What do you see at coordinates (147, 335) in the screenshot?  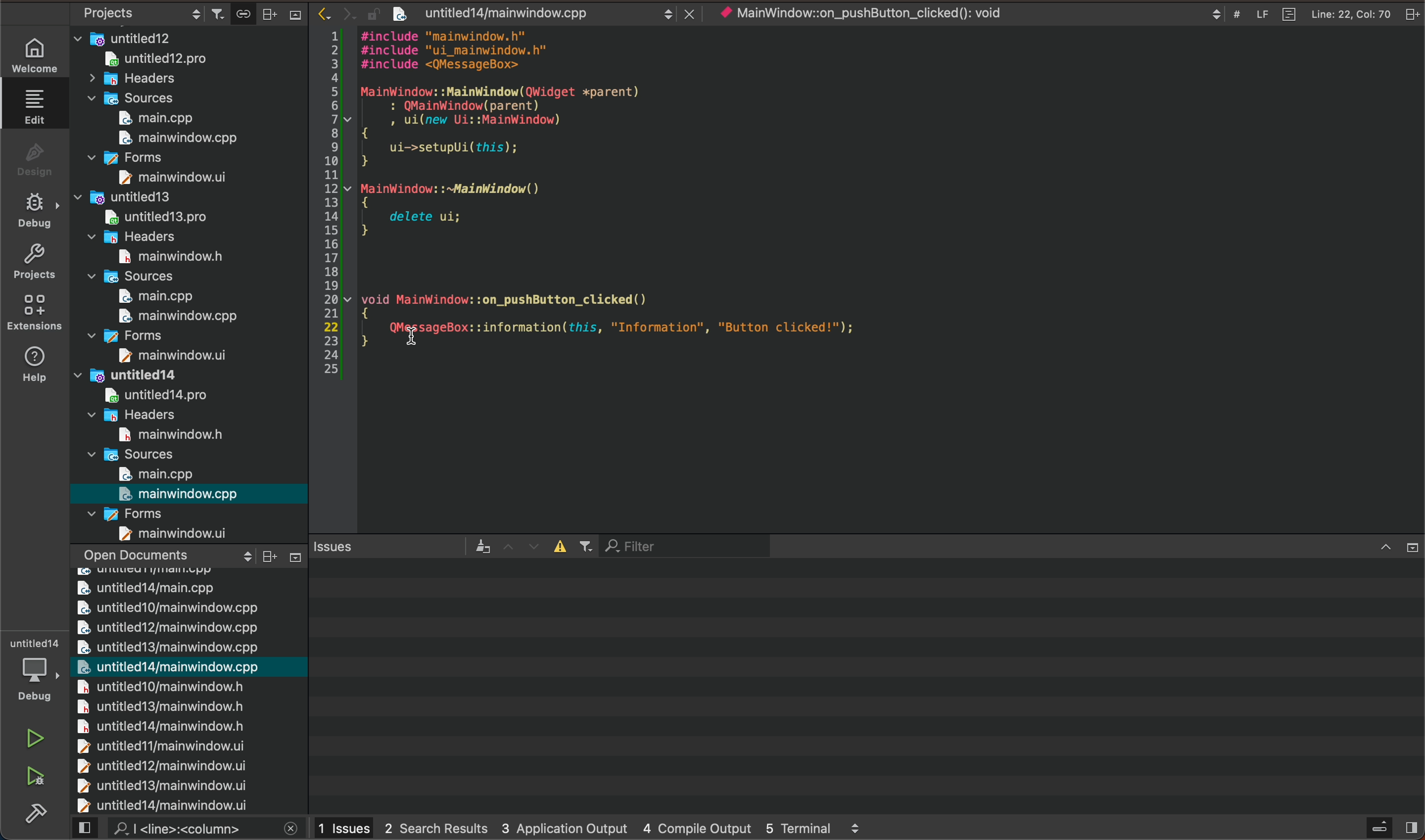 I see `forms` at bounding box center [147, 335].